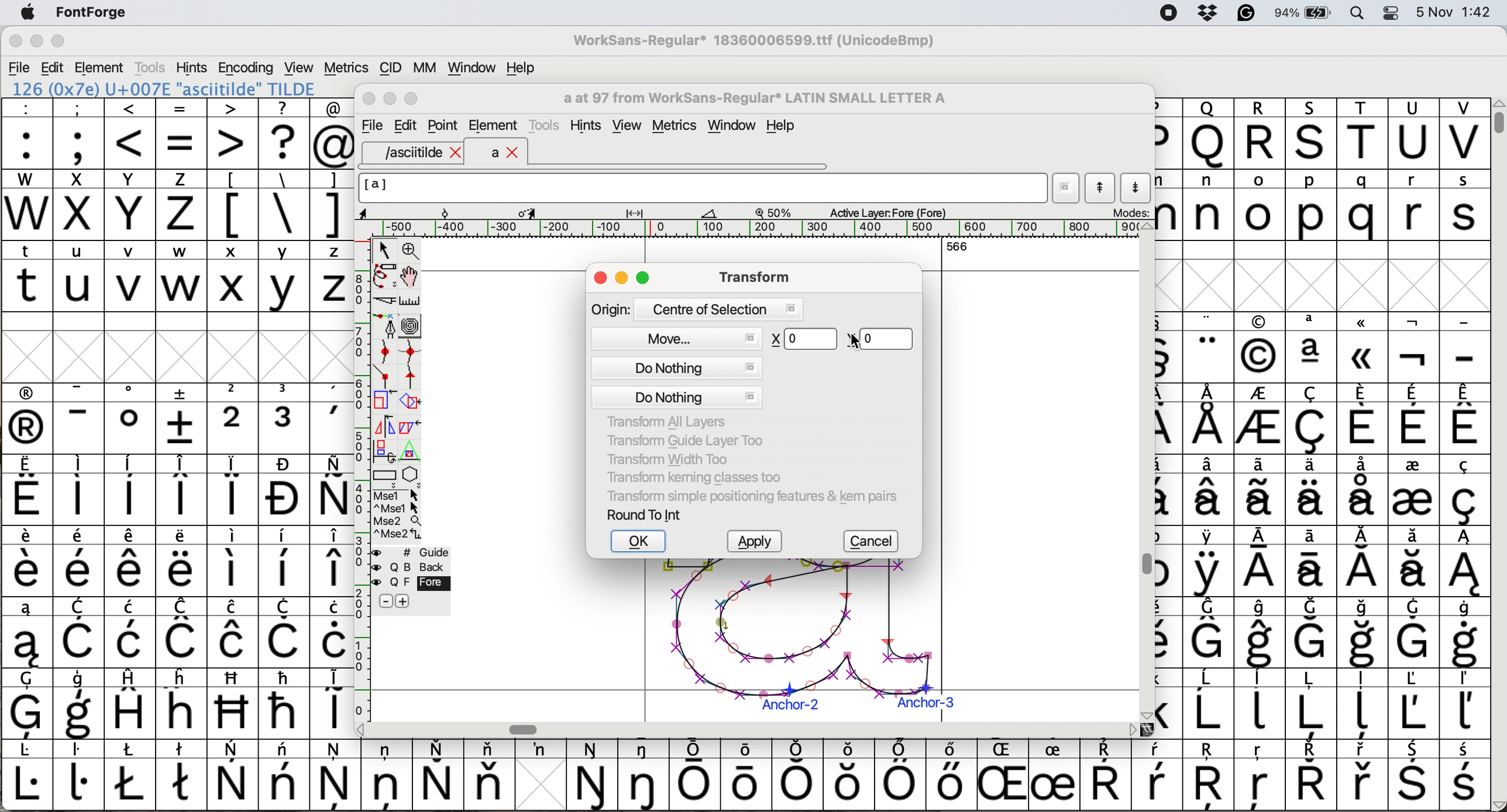  I want to click on symbol, so click(285, 632).